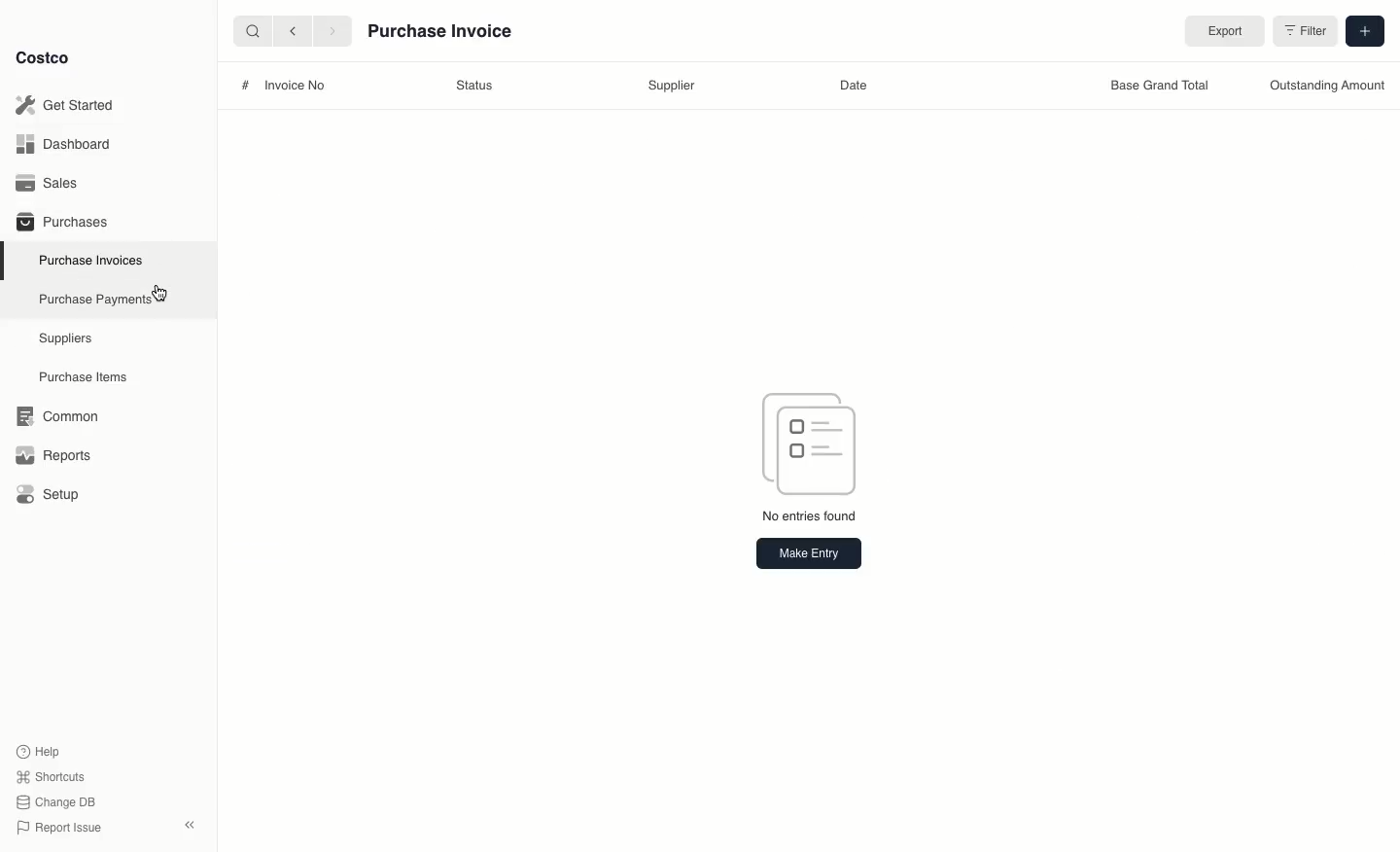 The image size is (1400, 852). Describe the element at coordinates (252, 29) in the screenshot. I see `Search` at that location.